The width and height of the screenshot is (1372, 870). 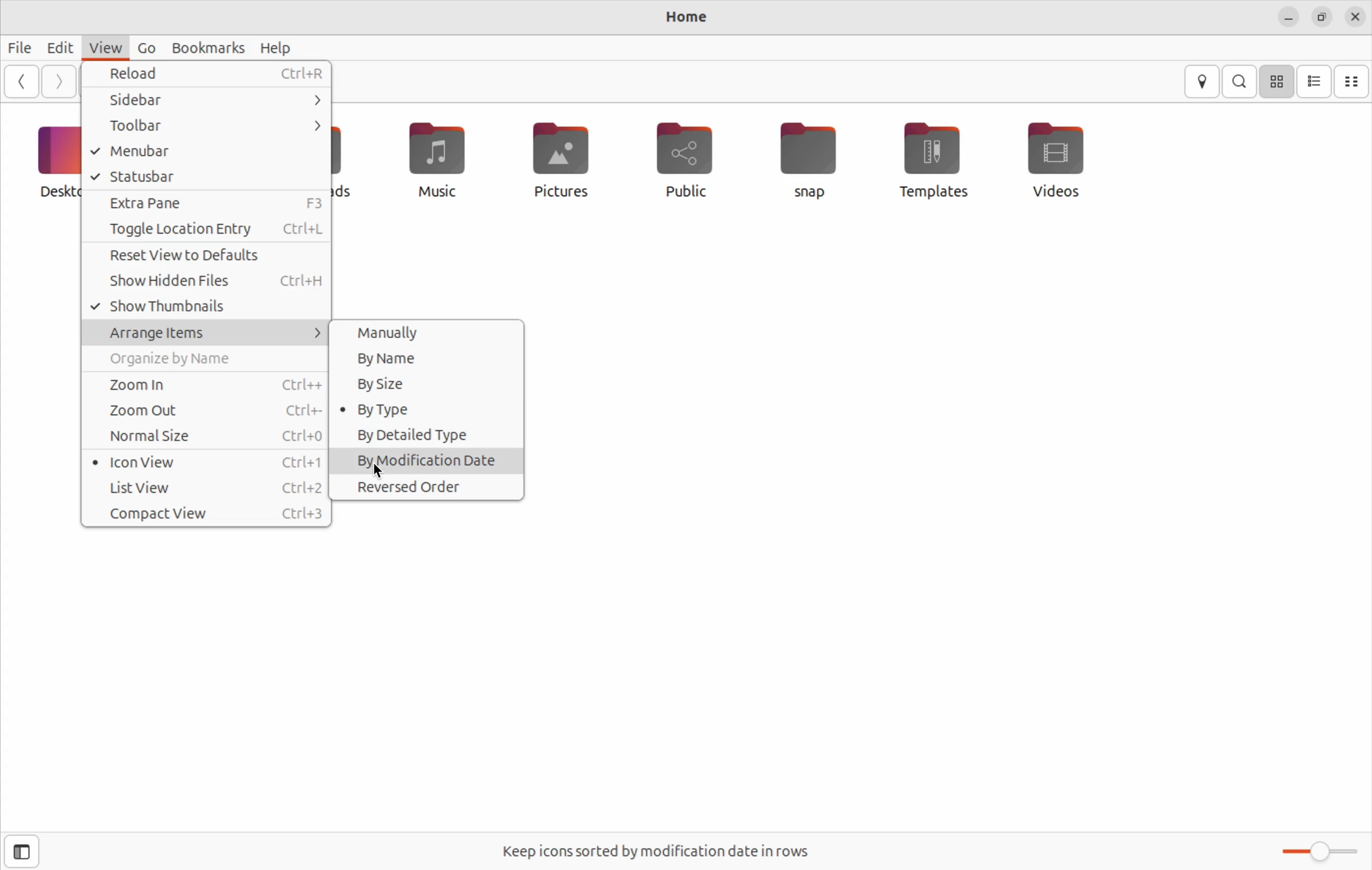 I want to click on manually, so click(x=424, y=332).